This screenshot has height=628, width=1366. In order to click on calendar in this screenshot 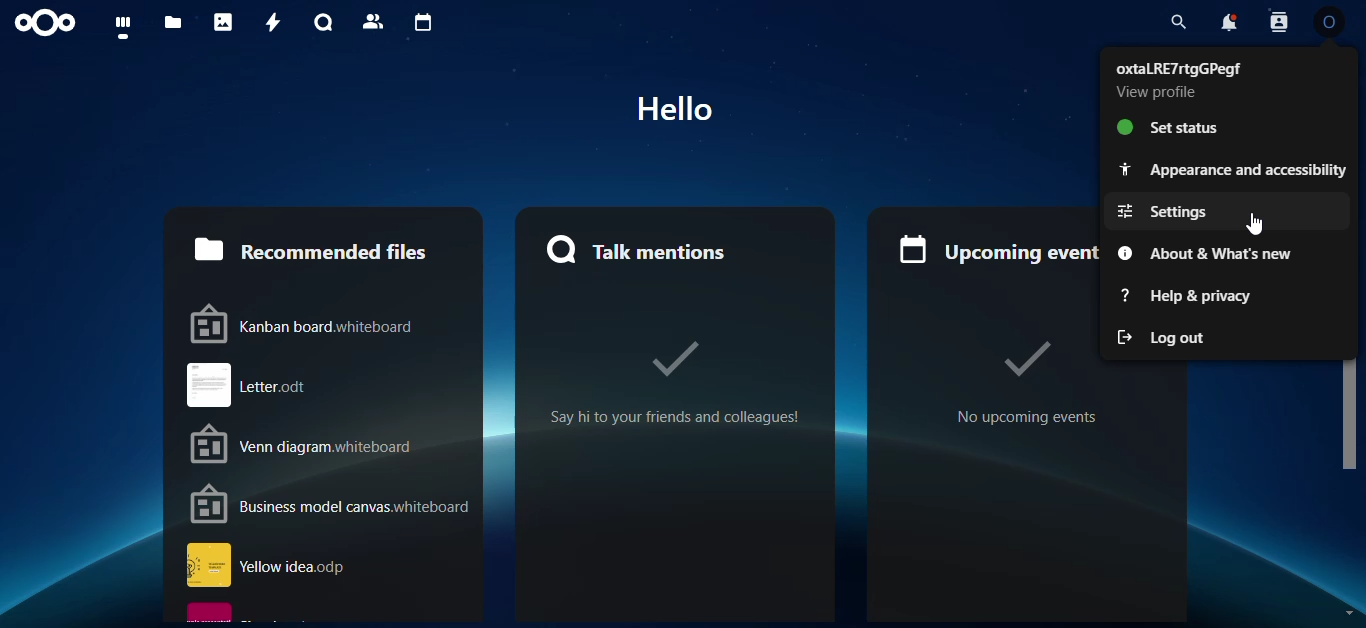, I will do `click(419, 22)`.